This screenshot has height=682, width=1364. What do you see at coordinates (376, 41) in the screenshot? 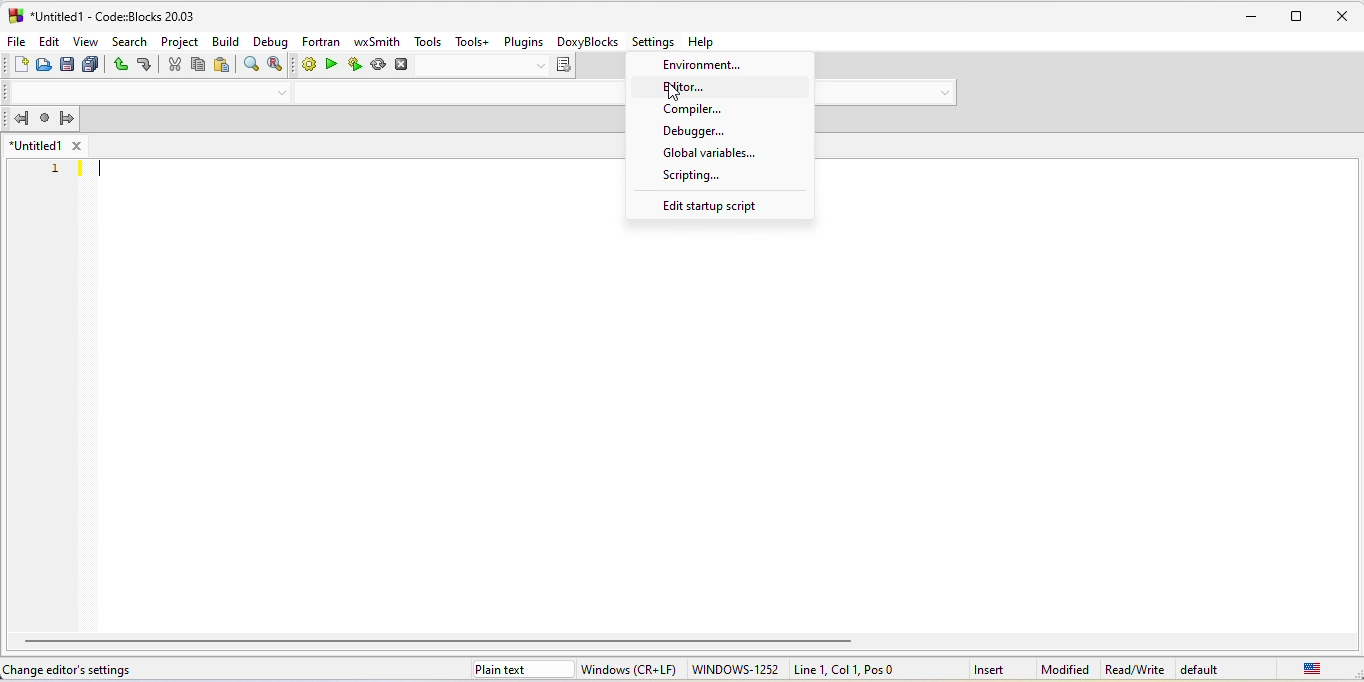
I see `wxsmith` at bounding box center [376, 41].